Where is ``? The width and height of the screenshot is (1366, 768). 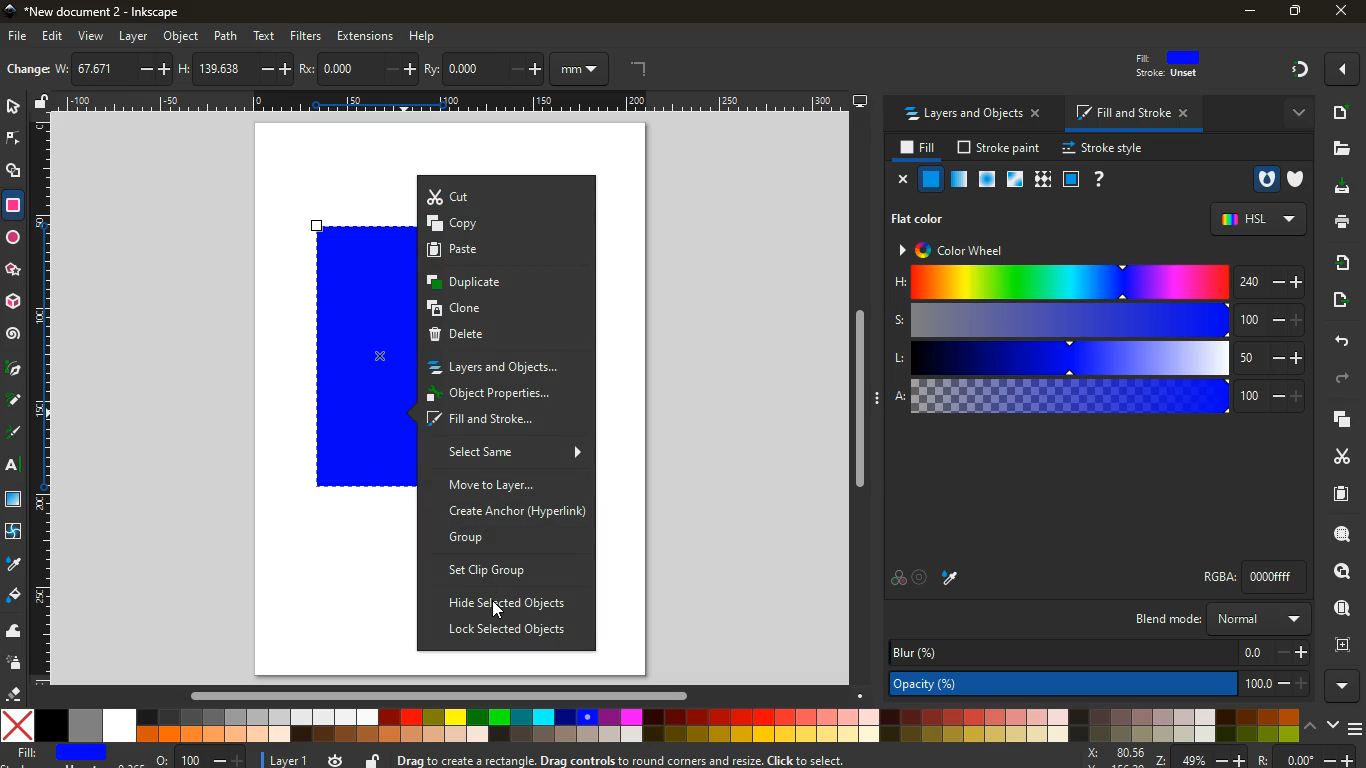  is located at coordinates (497, 610).